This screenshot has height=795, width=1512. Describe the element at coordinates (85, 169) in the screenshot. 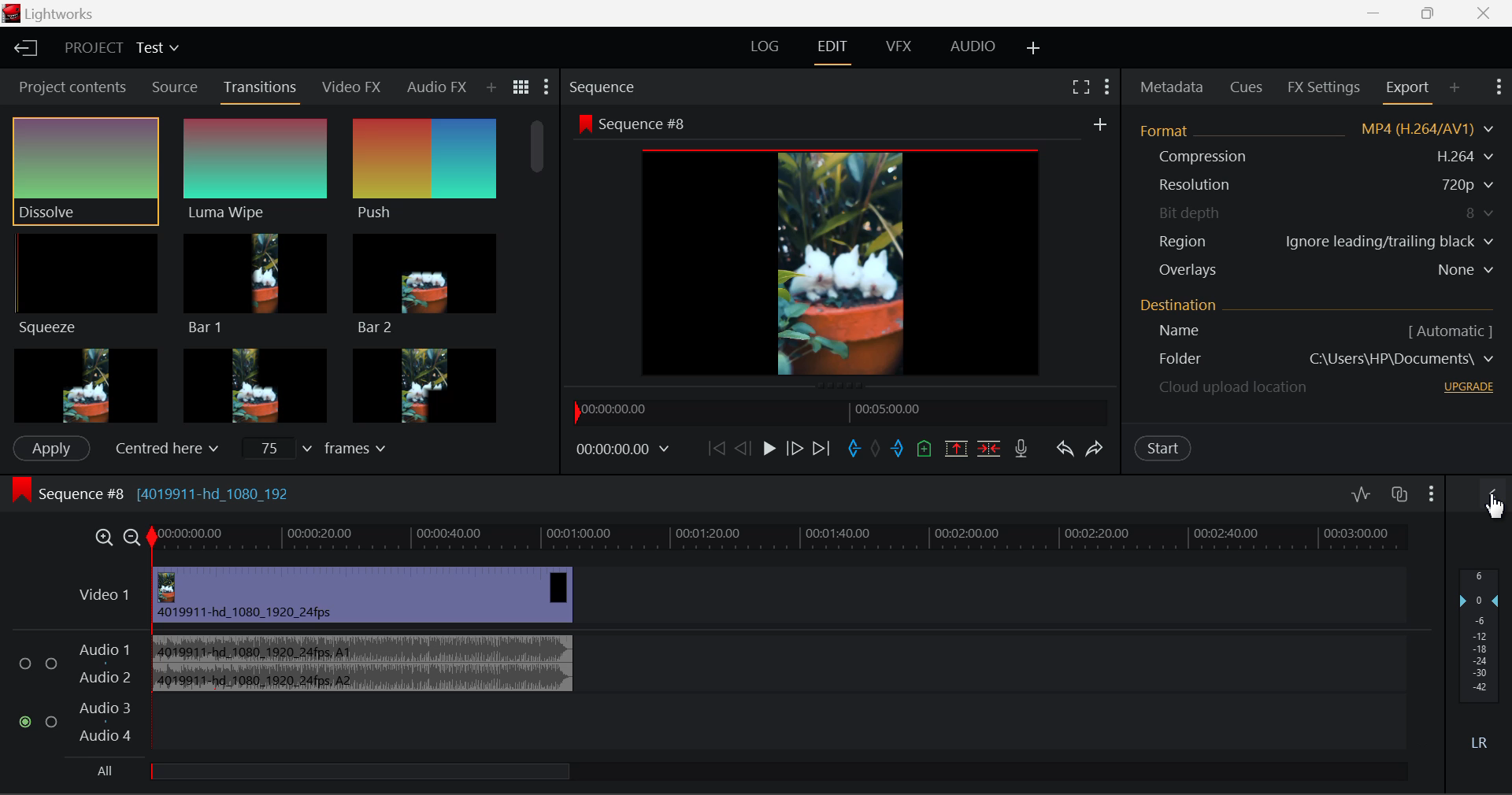

I see `Dissolve` at that location.